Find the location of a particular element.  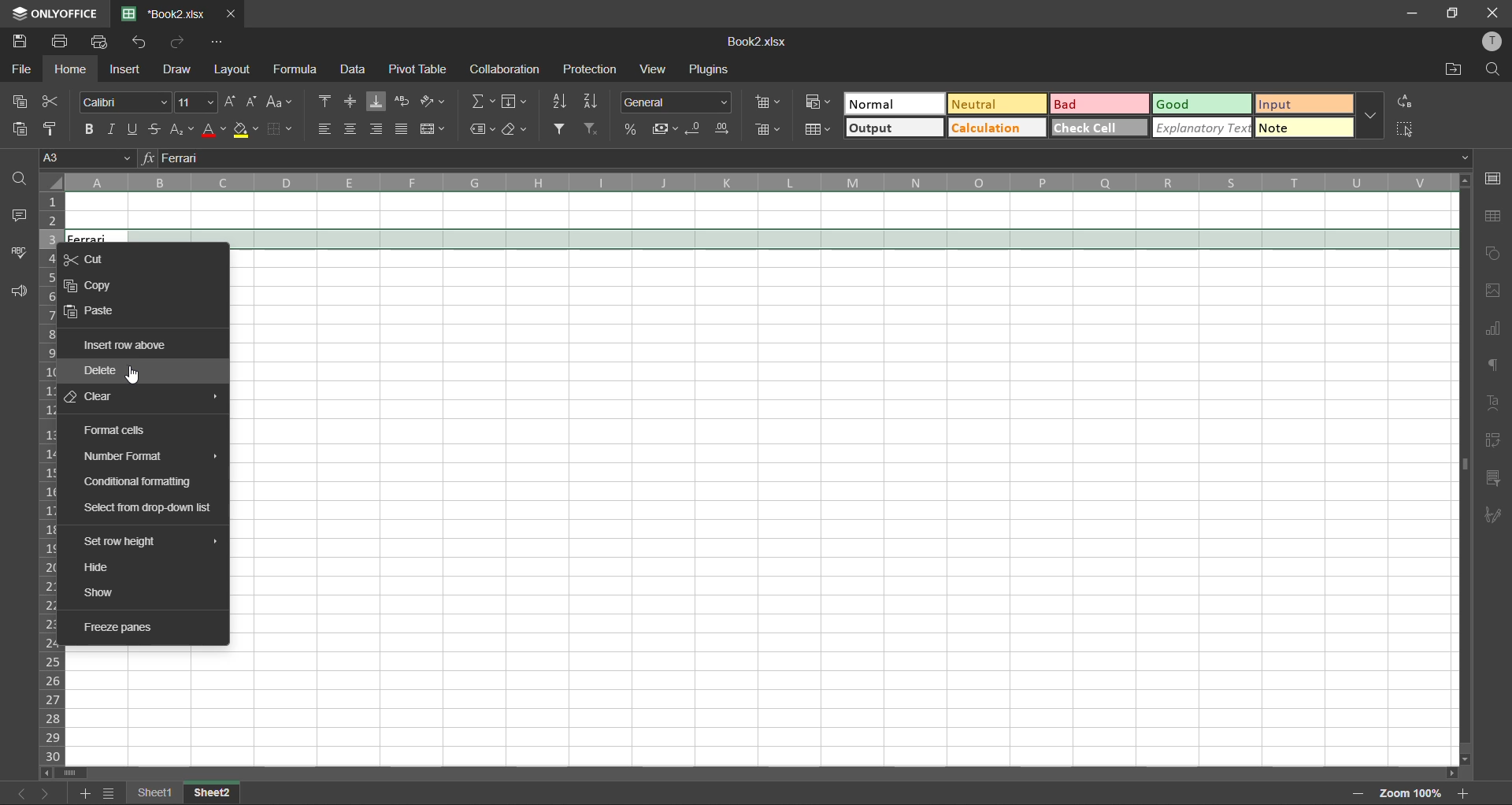

delete is located at coordinates (102, 369).